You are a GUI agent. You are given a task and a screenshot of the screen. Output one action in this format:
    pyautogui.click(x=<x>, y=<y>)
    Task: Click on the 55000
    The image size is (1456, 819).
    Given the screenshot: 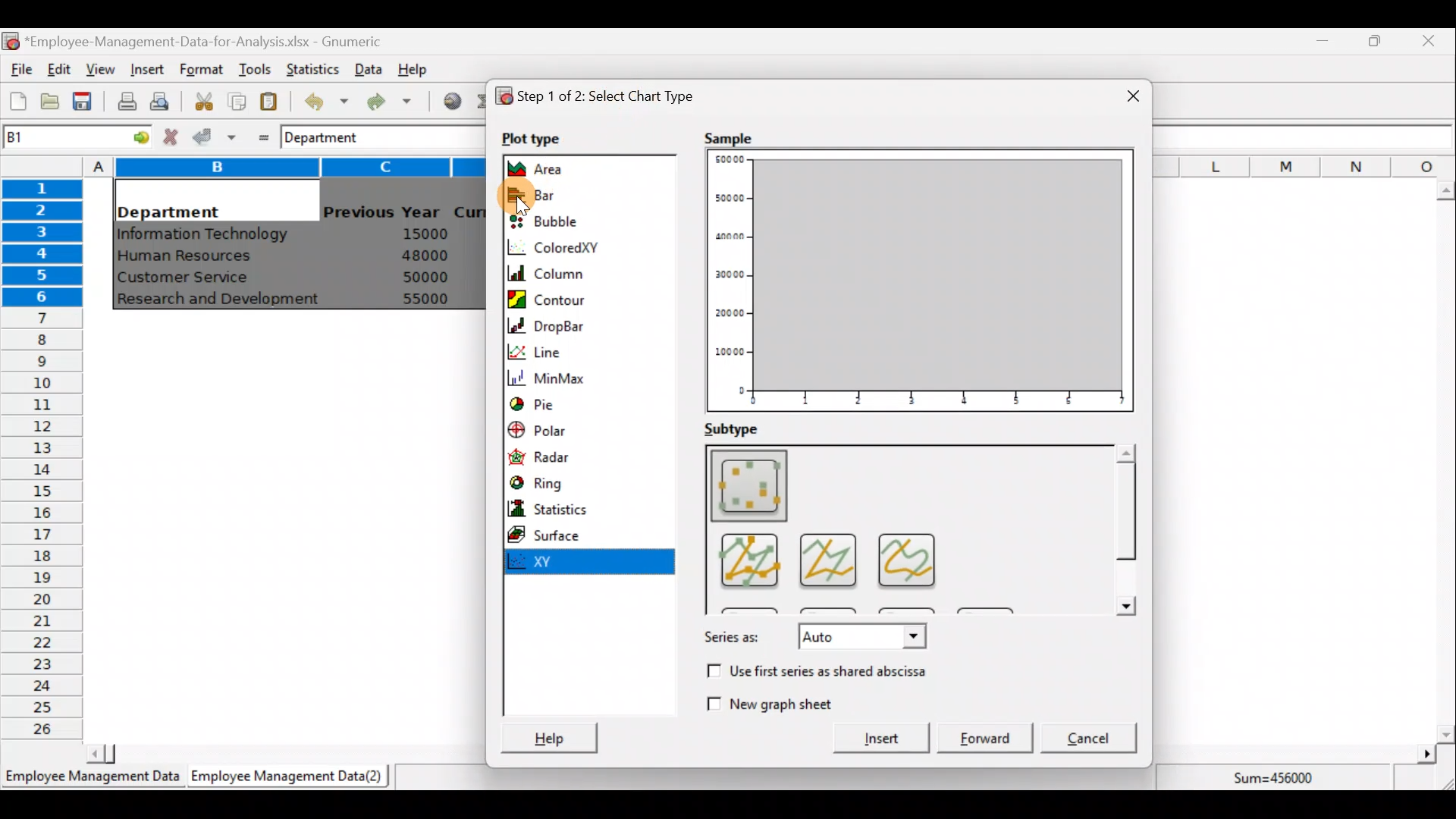 What is the action you would take?
    pyautogui.click(x=426, y=299)
    